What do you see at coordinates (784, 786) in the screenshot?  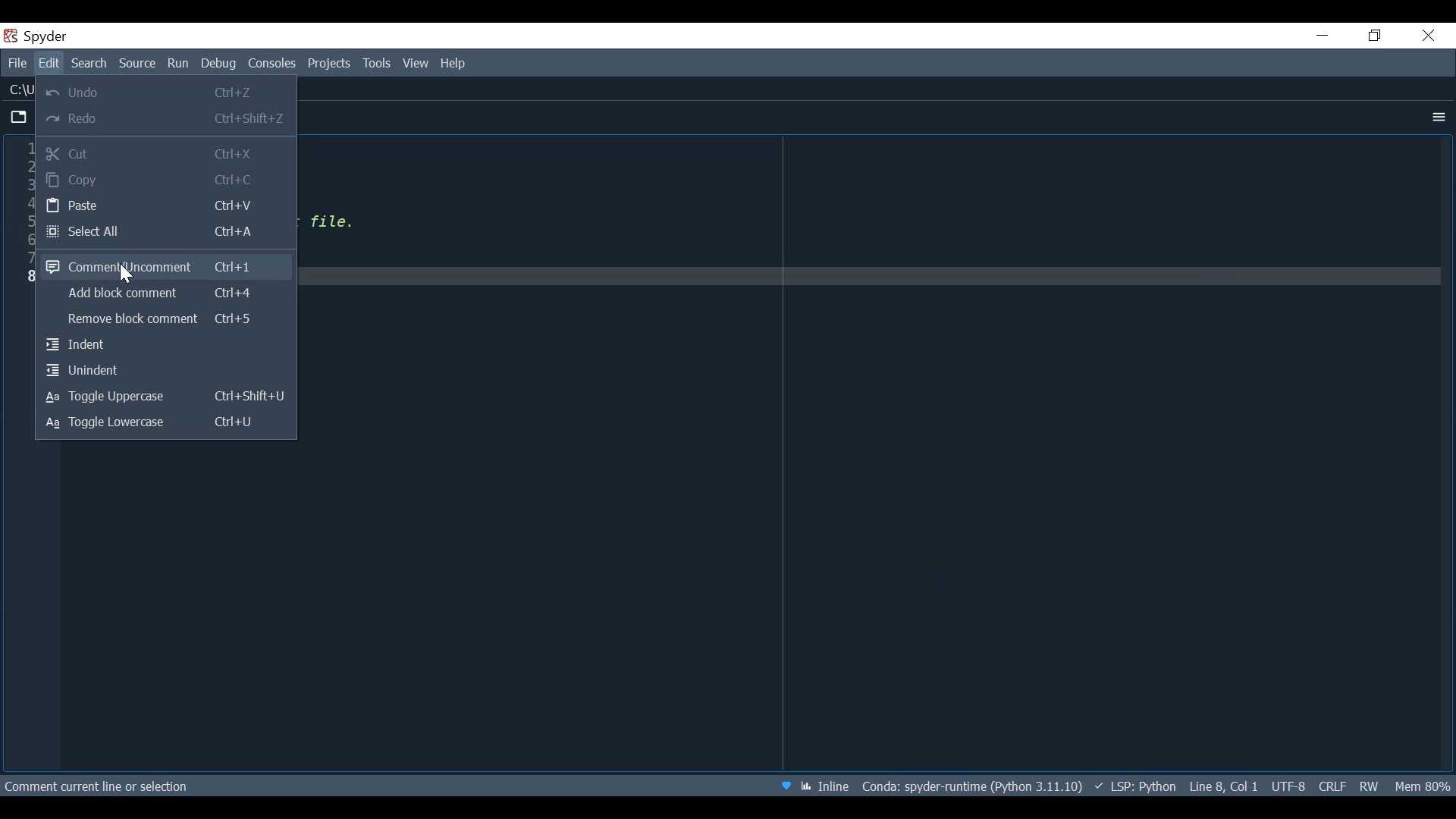 I see `Help Spyder` at bounding box center [784, 786].